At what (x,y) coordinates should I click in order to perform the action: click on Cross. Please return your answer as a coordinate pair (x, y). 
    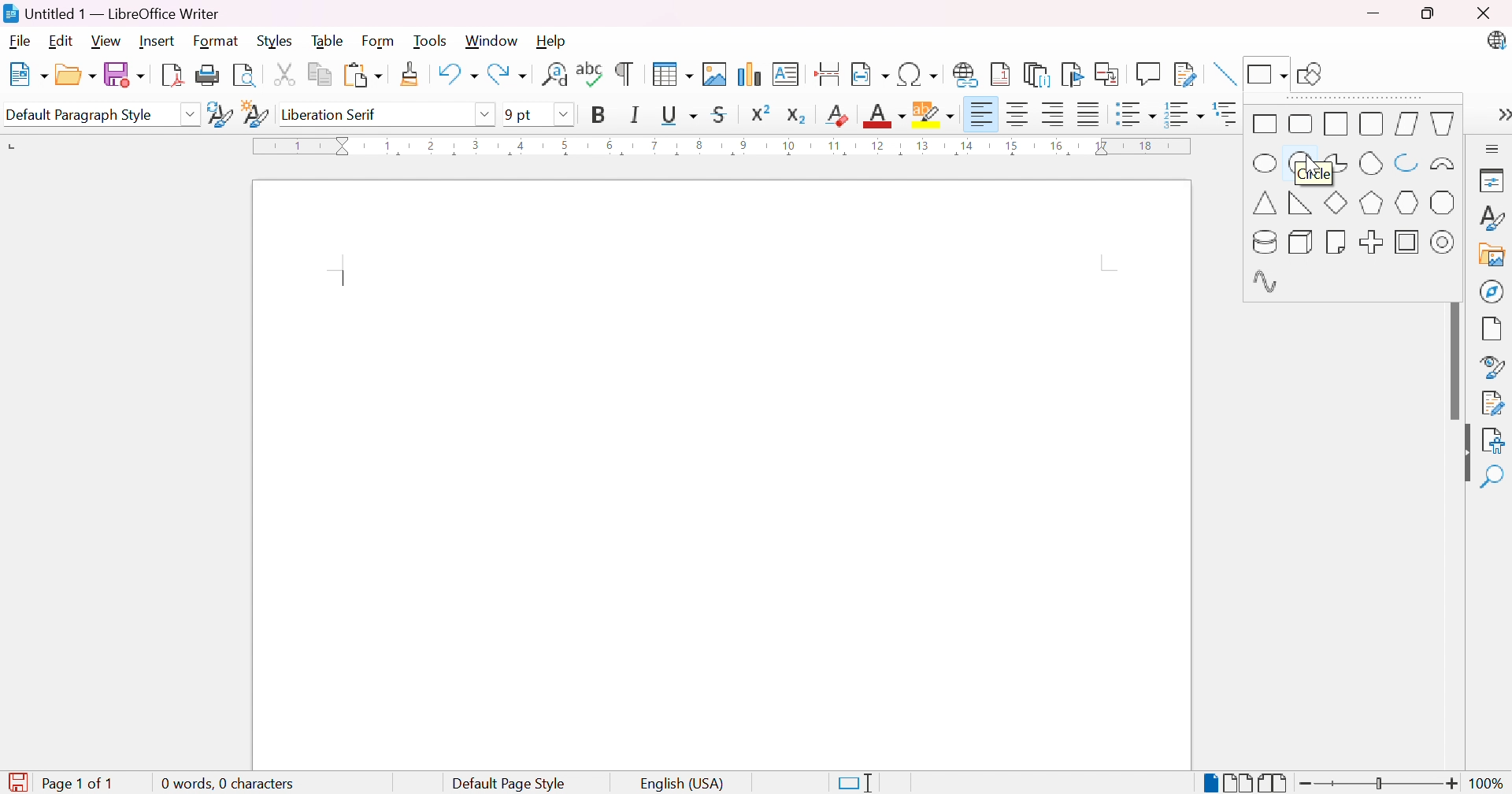
    Looking at the image, I should click on (1373, 242).